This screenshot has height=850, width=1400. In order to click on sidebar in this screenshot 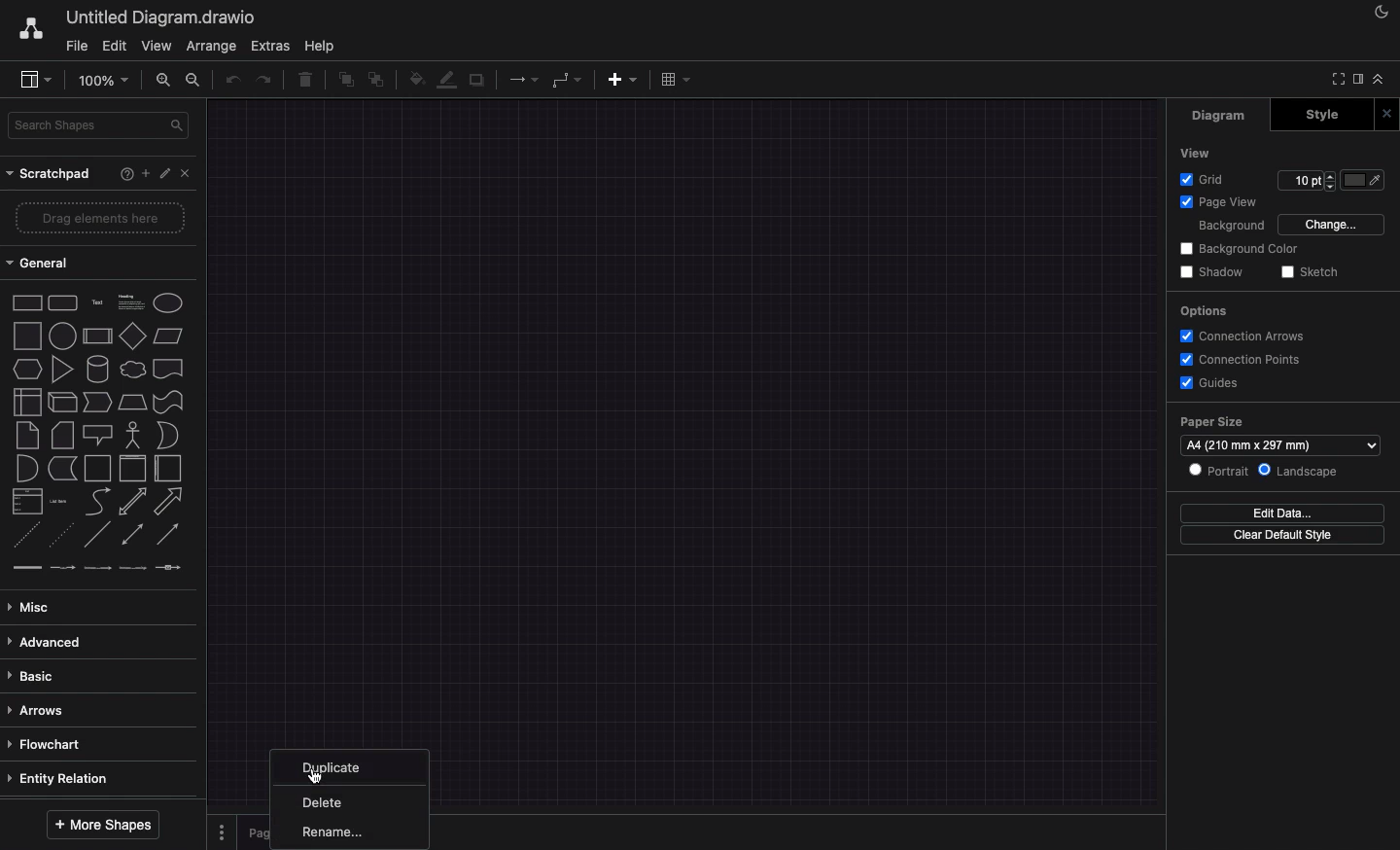, I will do `click(1358, 80)`.